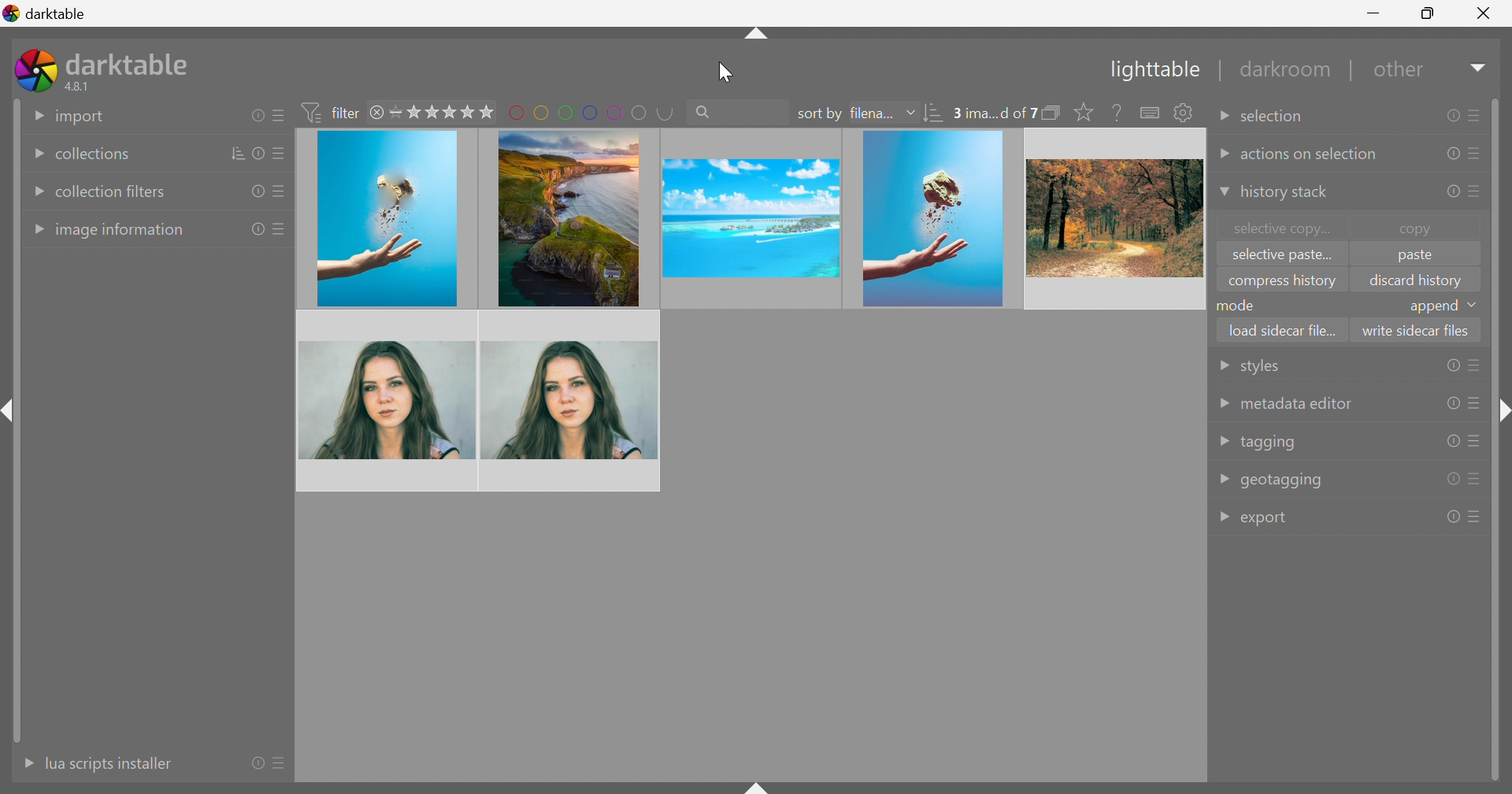  I want to click on click to change the size of overlays on thumbnails, so click(1080, 113).